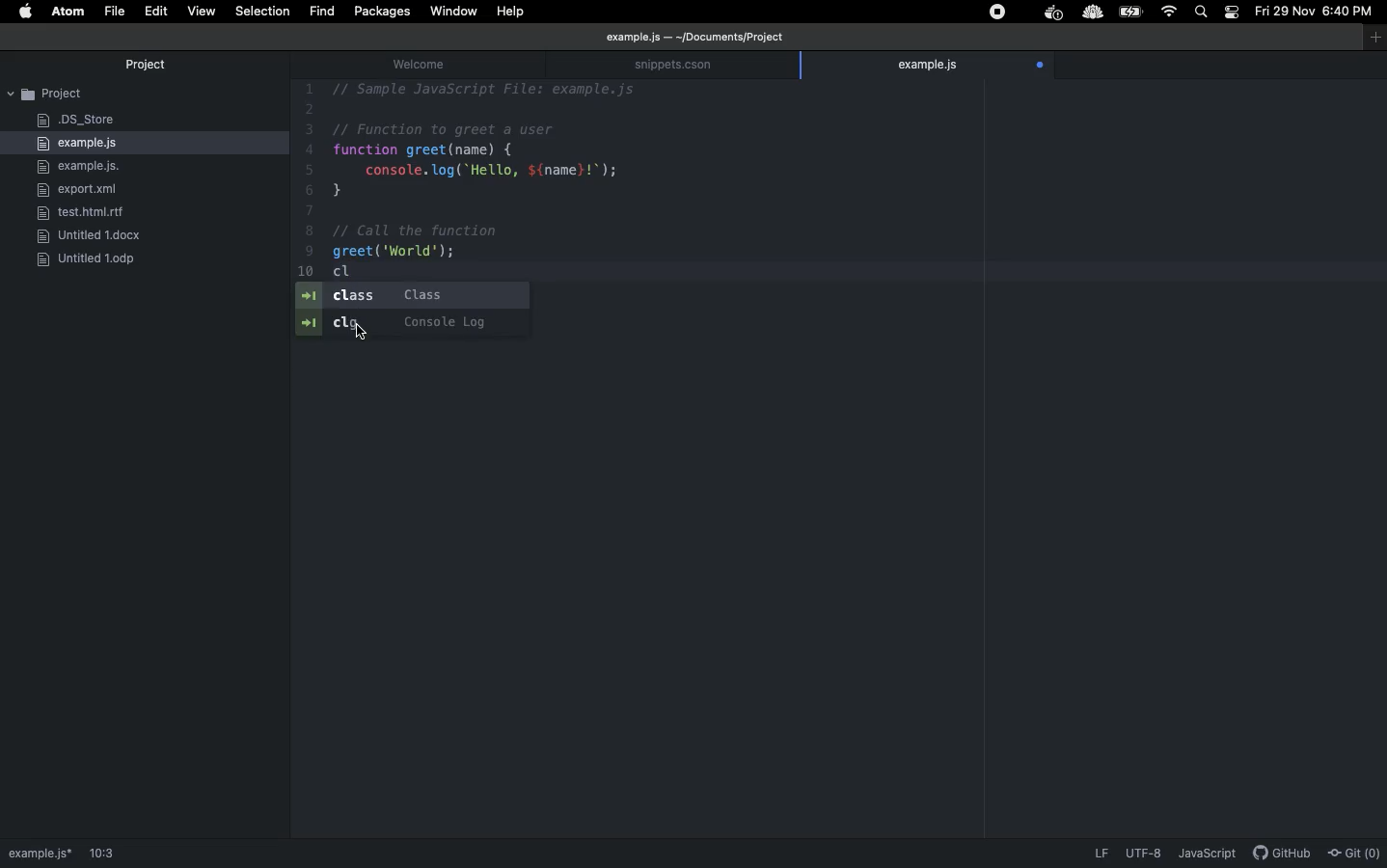 The height and width of the screenshot is (868, 1387). Describe the element at coordinates (1373, 39) in the screenshot. I see `window` at that location.